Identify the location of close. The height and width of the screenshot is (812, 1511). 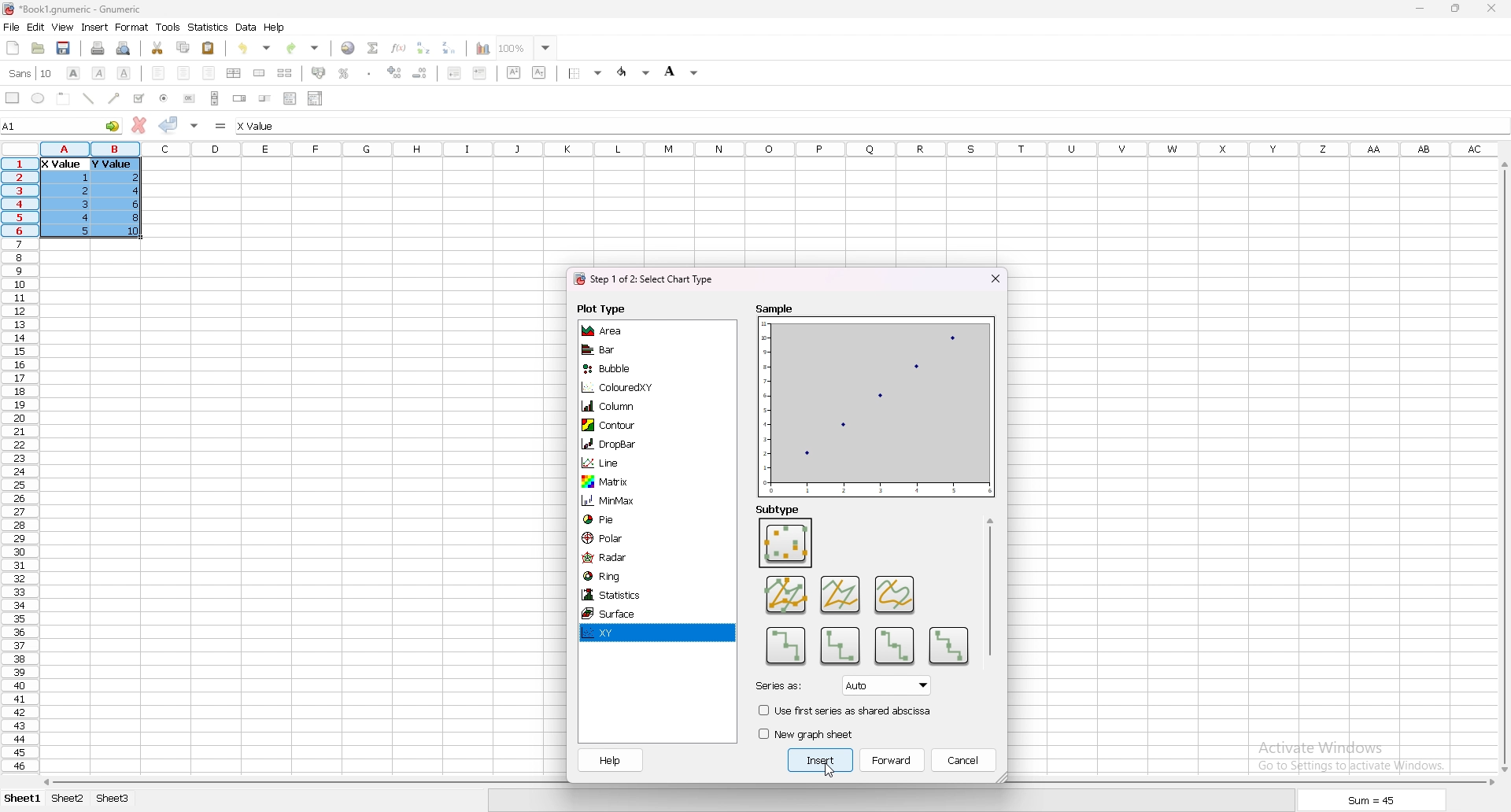
(1491, 8).